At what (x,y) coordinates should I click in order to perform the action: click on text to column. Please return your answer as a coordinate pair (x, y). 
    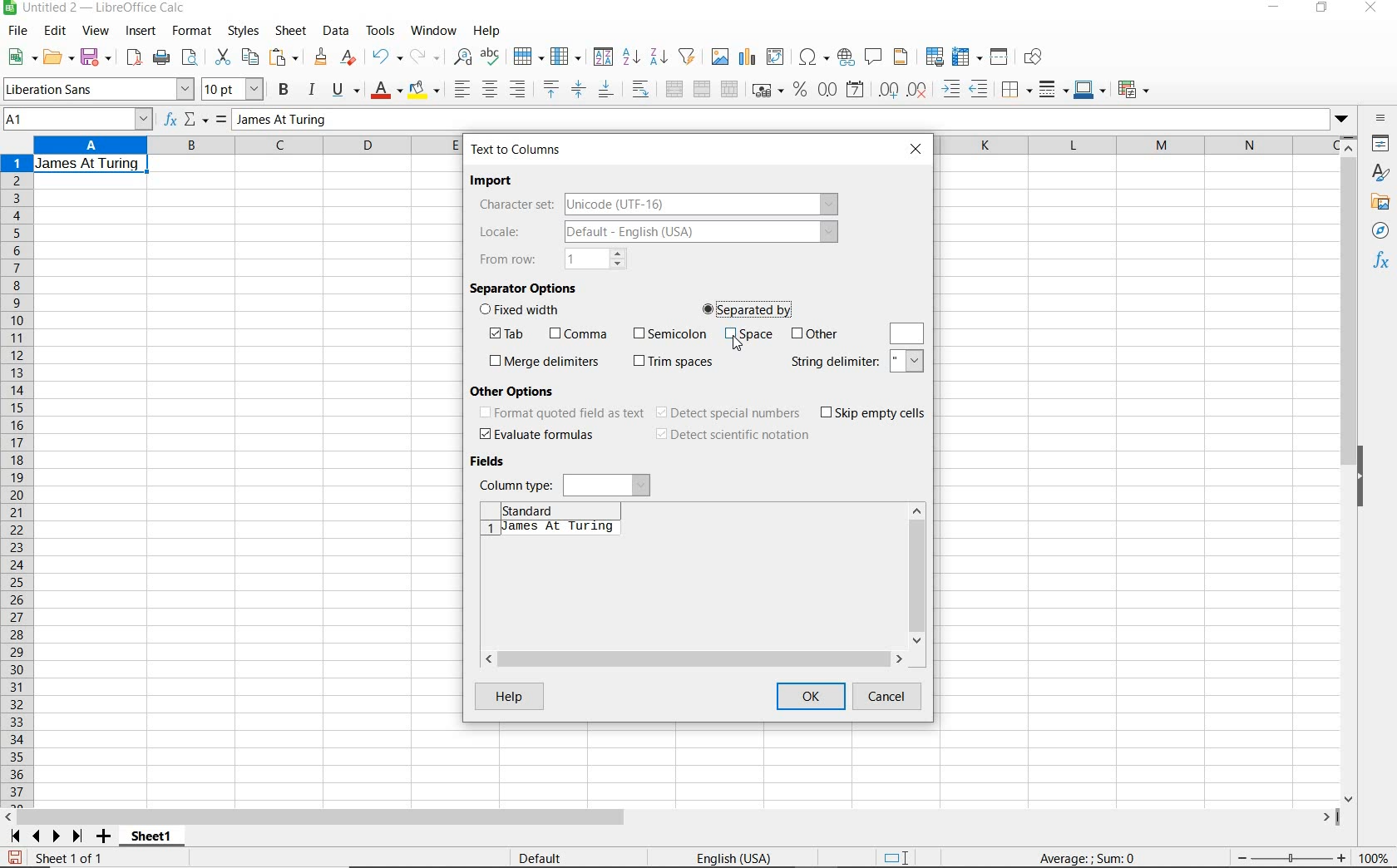
    Looking at the image, I should click on (517, 150).